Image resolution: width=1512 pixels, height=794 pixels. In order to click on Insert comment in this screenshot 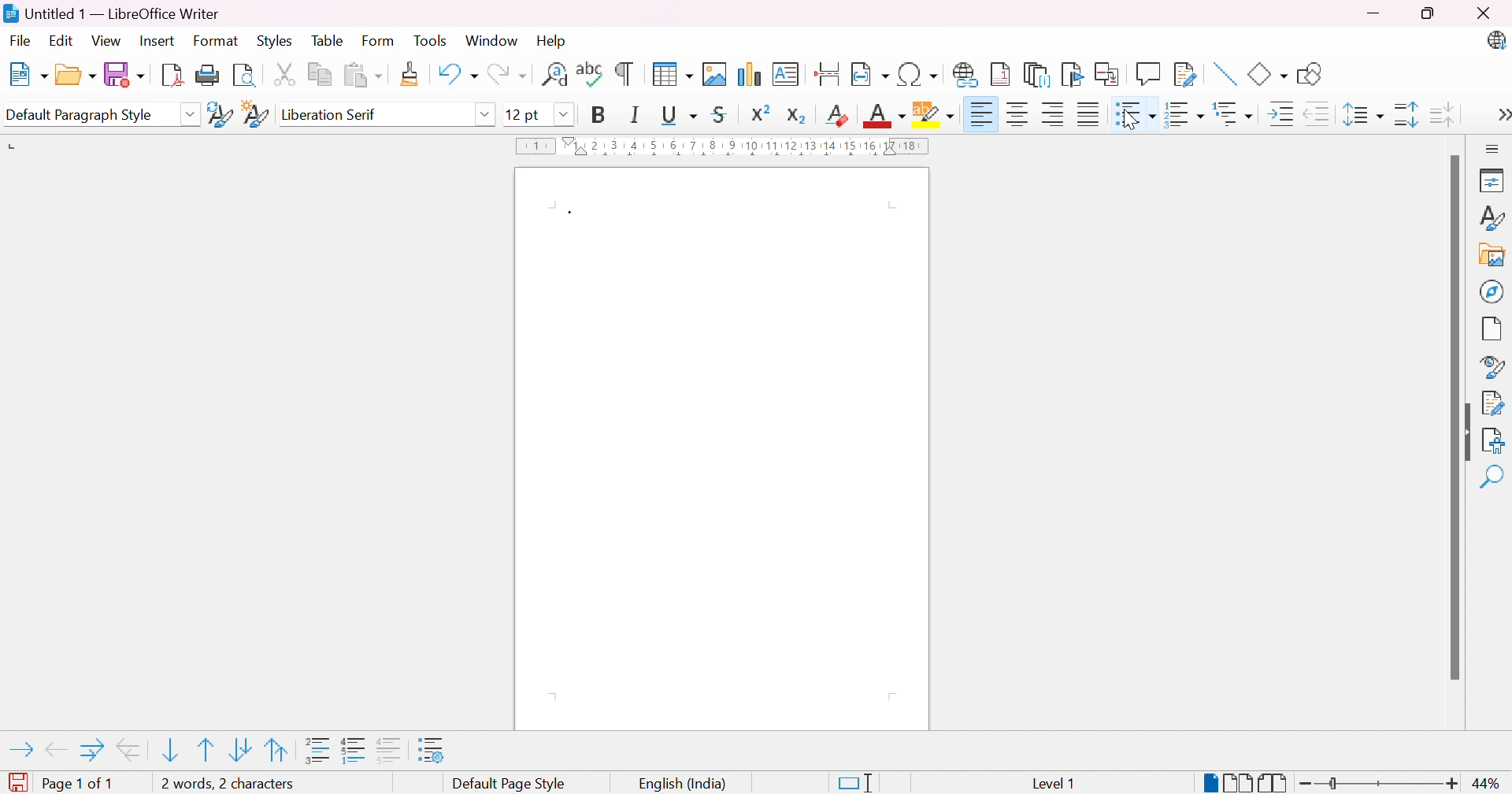, I will do `click(1148, 73)`.